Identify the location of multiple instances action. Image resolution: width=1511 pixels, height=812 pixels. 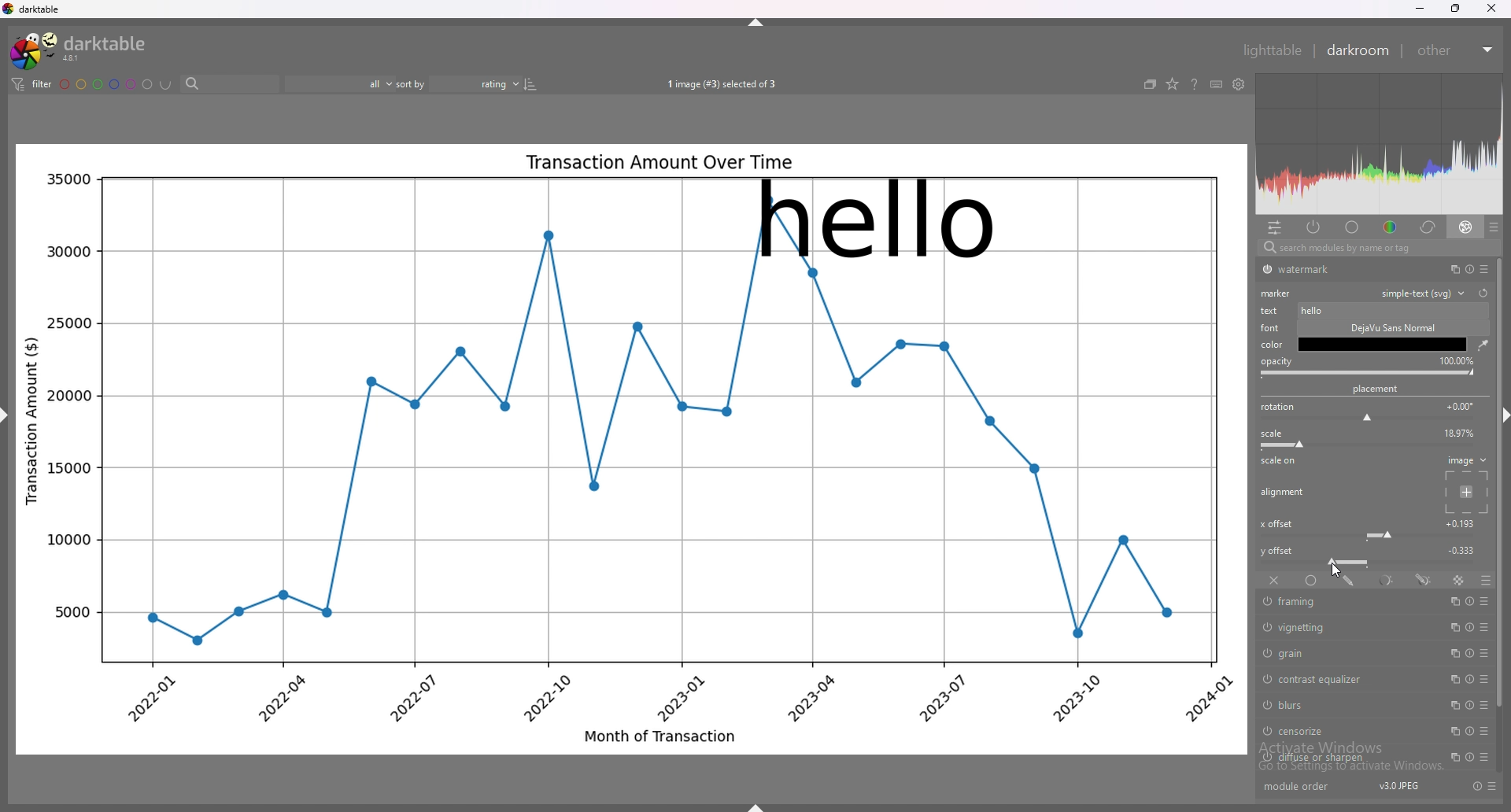
(1453, 705).